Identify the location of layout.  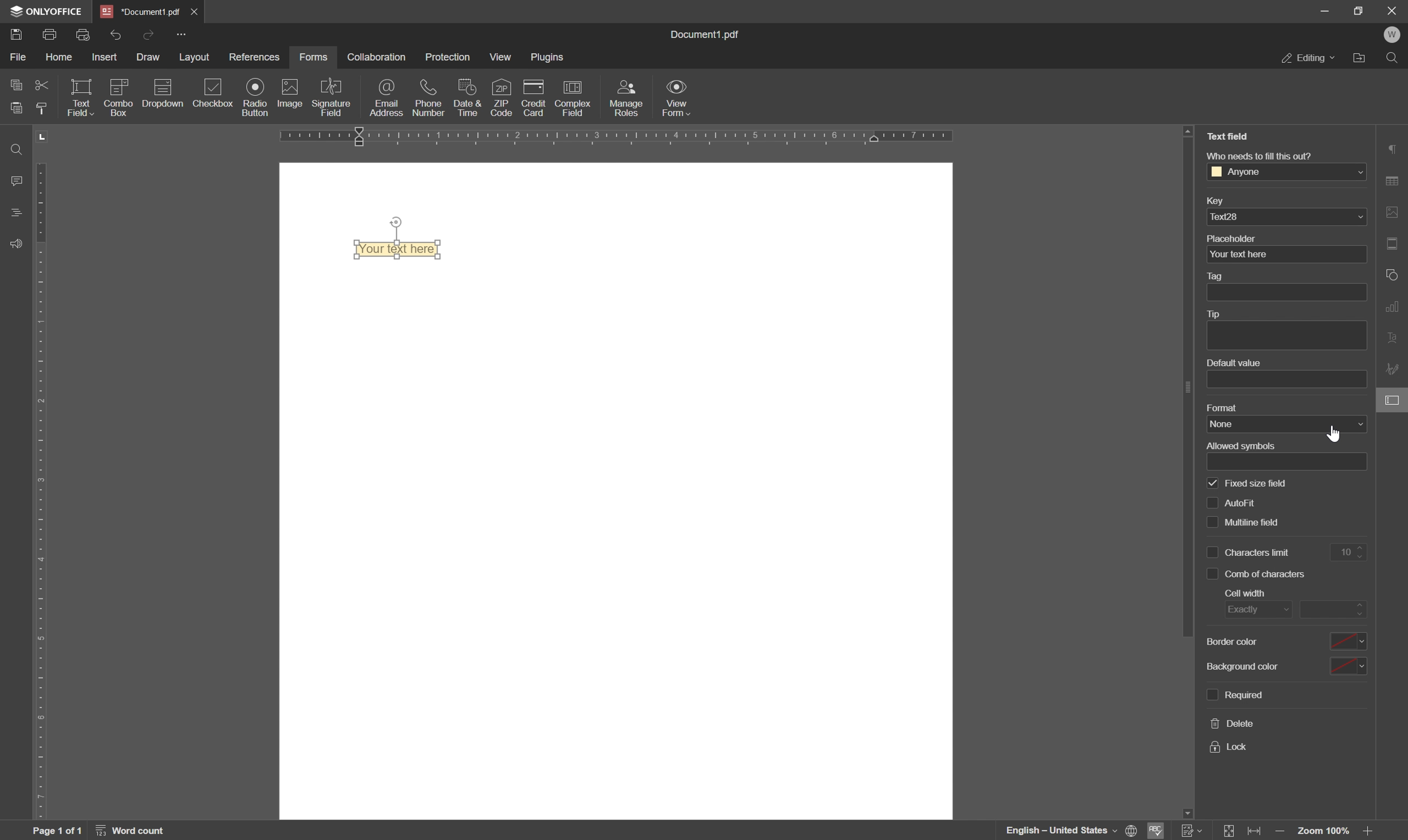
(197, 57).